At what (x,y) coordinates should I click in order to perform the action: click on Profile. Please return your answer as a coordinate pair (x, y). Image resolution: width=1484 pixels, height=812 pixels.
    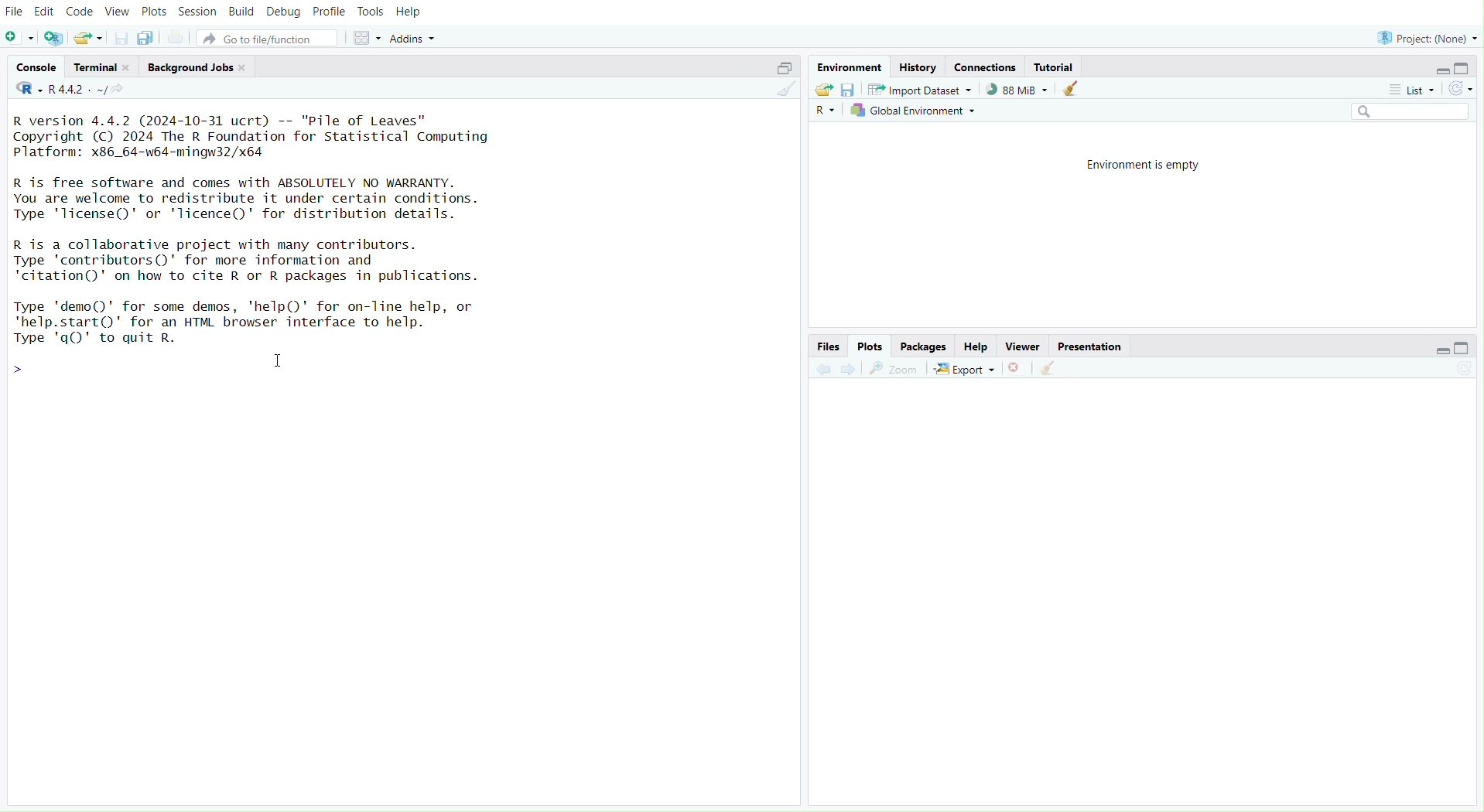
    Looking at the image, I should click on (327, 14).